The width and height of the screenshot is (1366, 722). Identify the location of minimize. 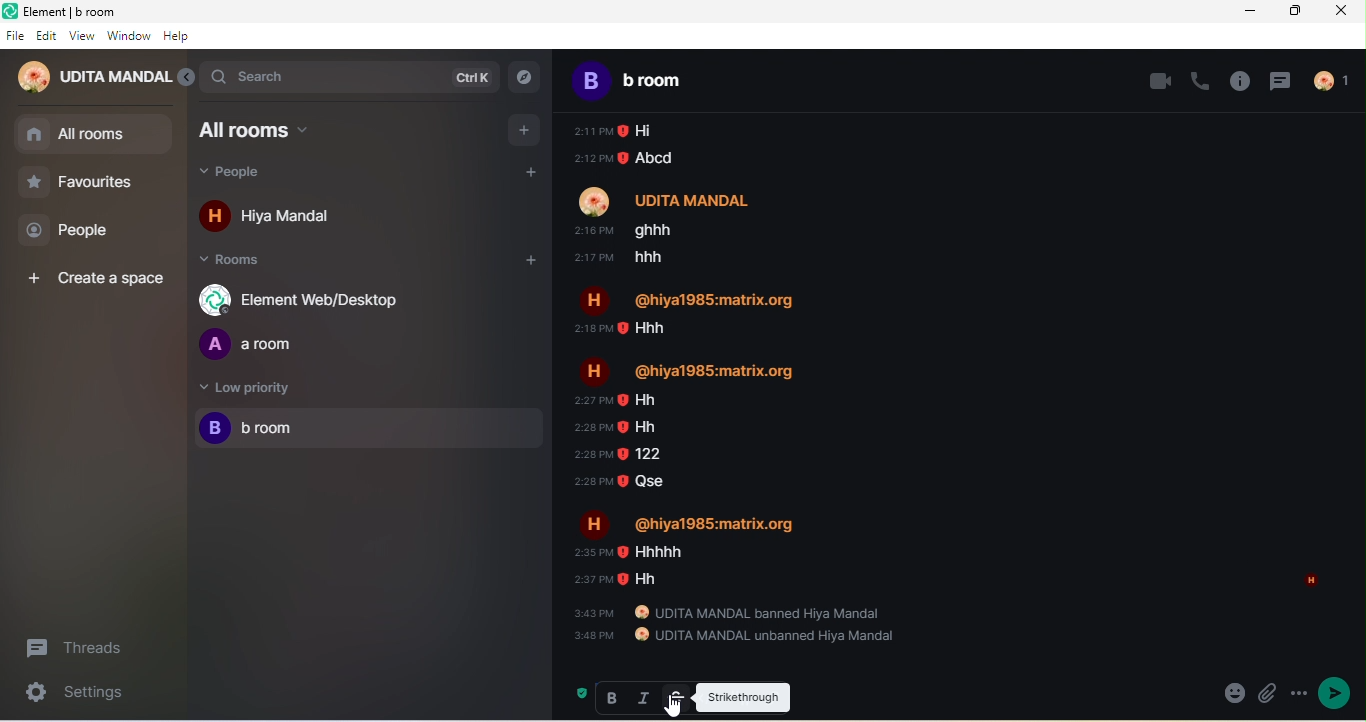
(1245, 15).